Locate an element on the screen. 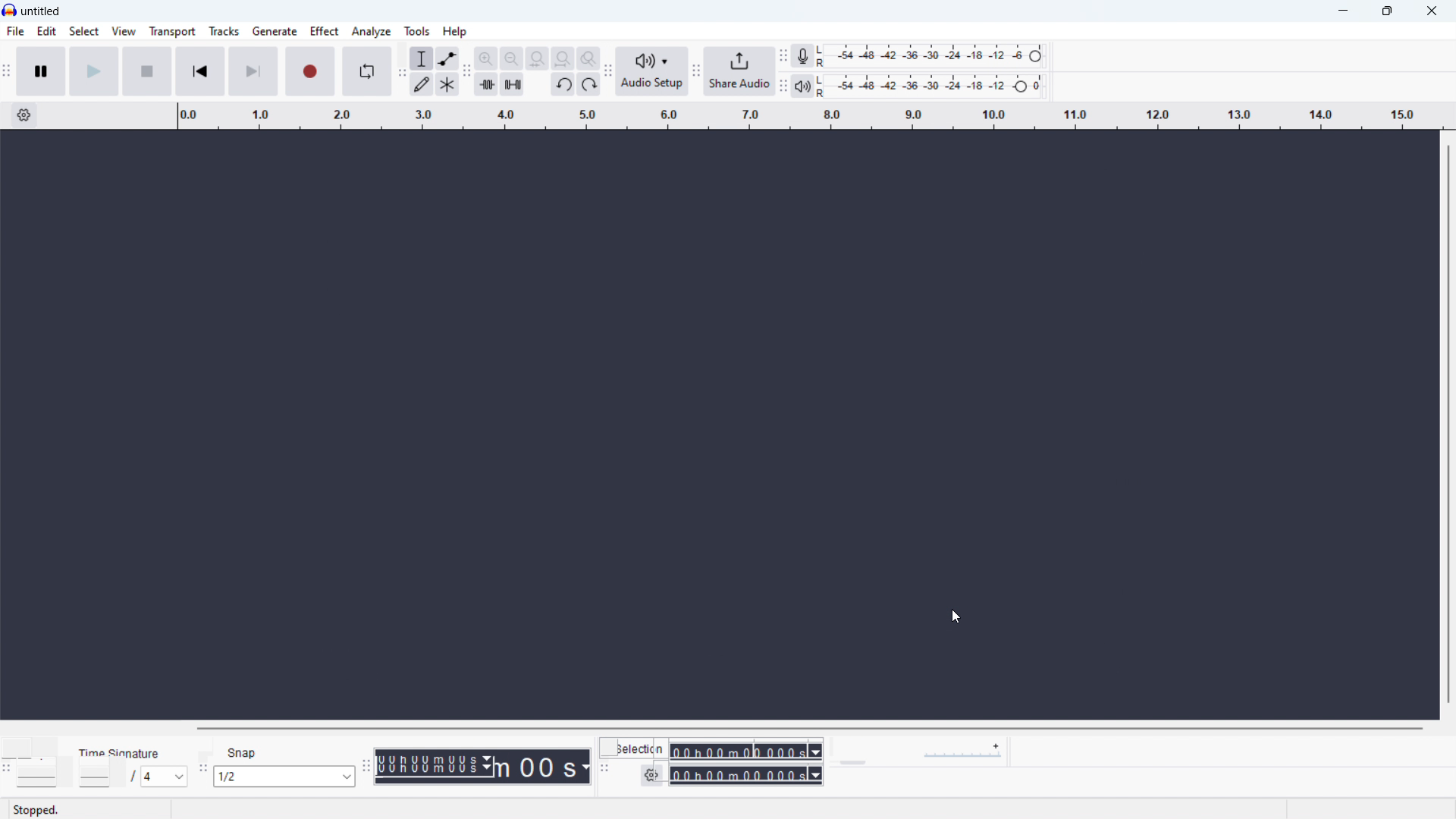  vertical scrollbar is located at coordinates (1449, 422).